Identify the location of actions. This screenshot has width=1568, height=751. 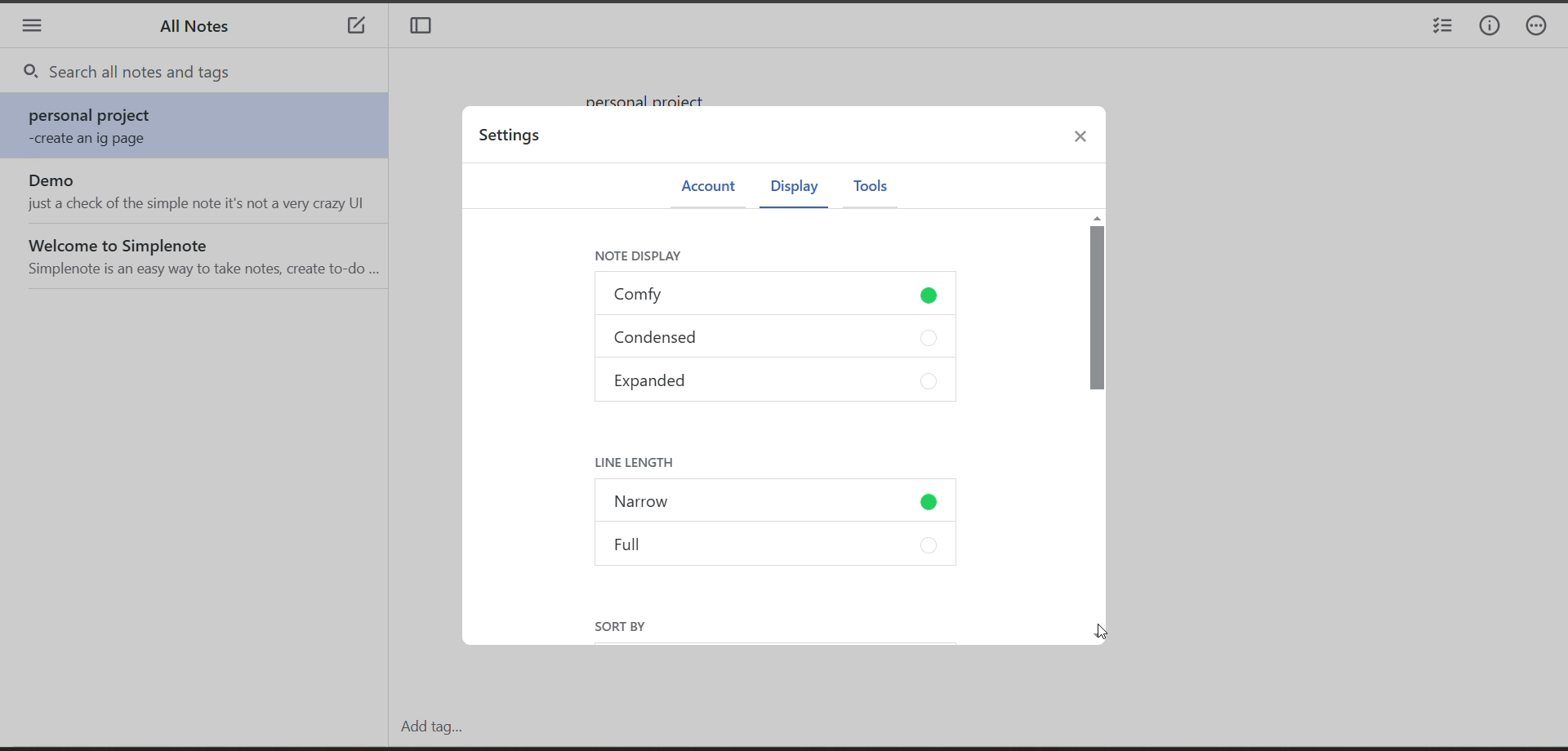
(1543, 28).